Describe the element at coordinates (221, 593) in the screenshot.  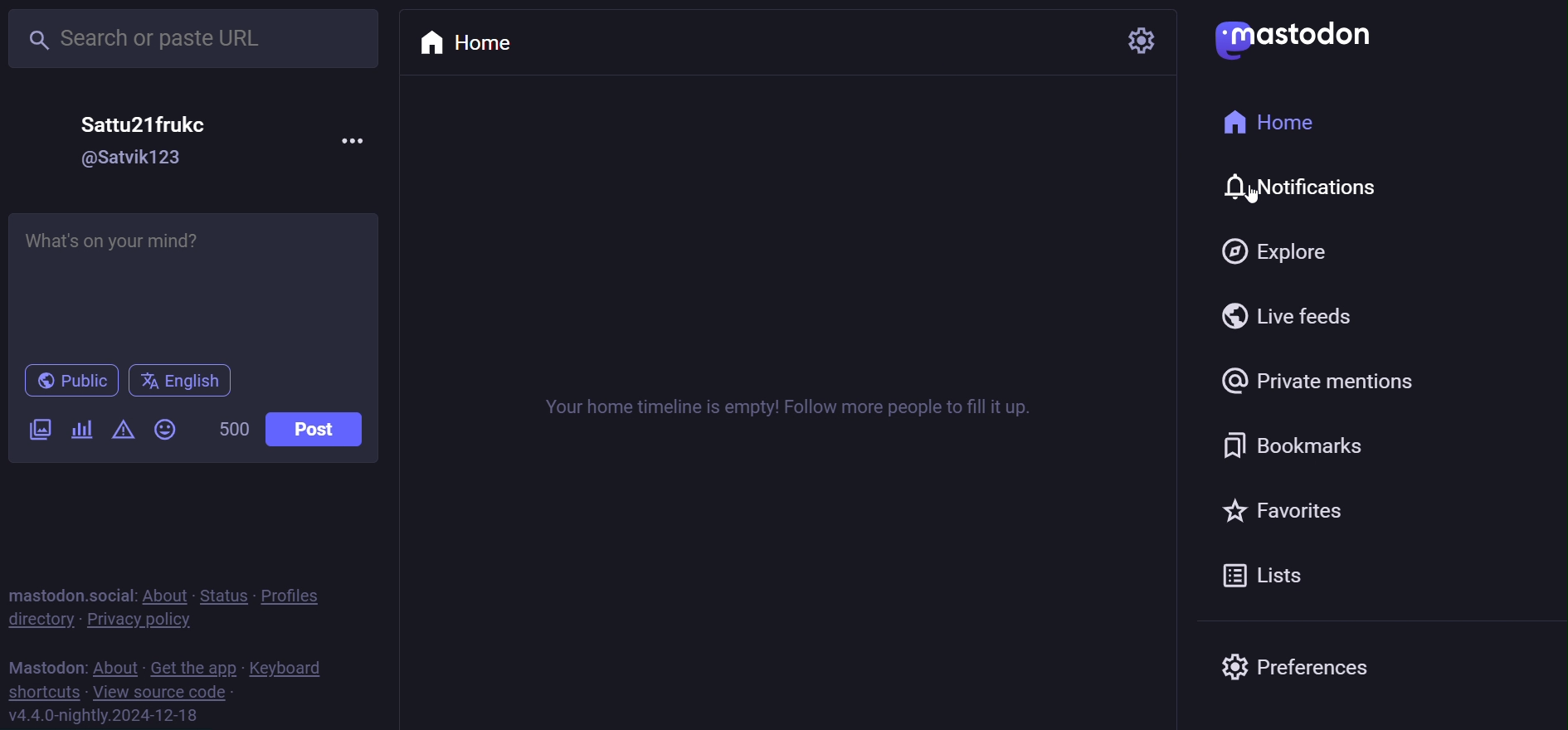
I see `status` at that location.